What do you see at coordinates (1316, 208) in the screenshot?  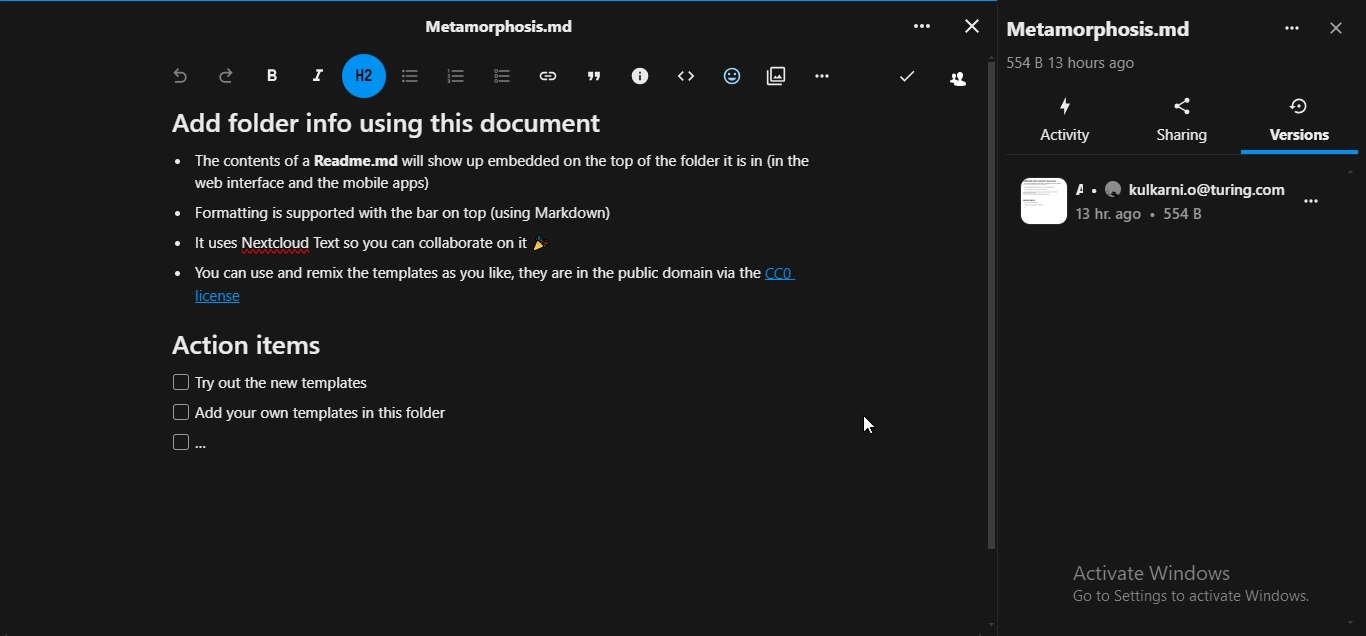 I see `more options` at bounding box center [1316, 208].